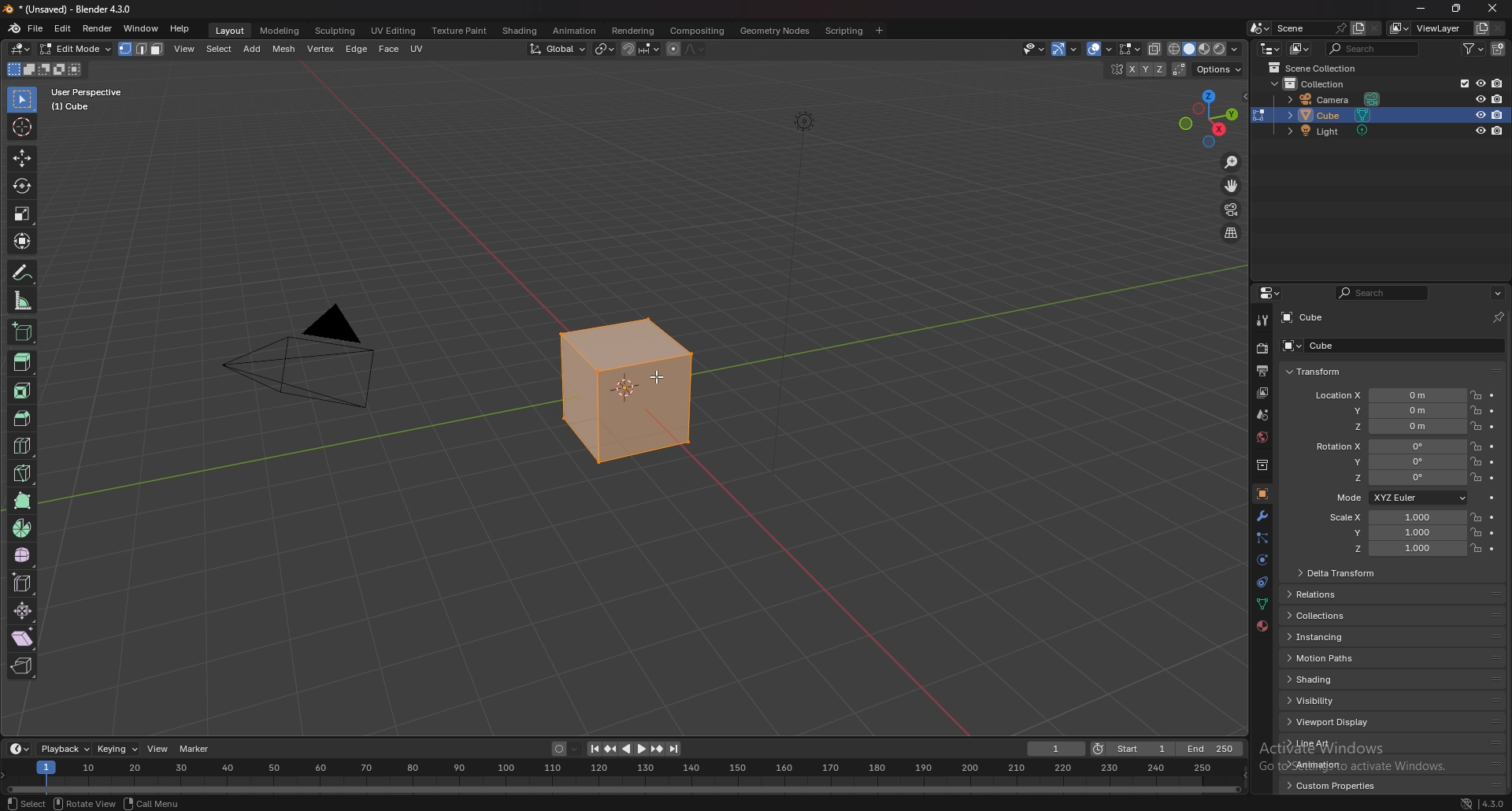 This screenshot has width=1512, height=811. I want to click on editor type, so click(1271, 294).